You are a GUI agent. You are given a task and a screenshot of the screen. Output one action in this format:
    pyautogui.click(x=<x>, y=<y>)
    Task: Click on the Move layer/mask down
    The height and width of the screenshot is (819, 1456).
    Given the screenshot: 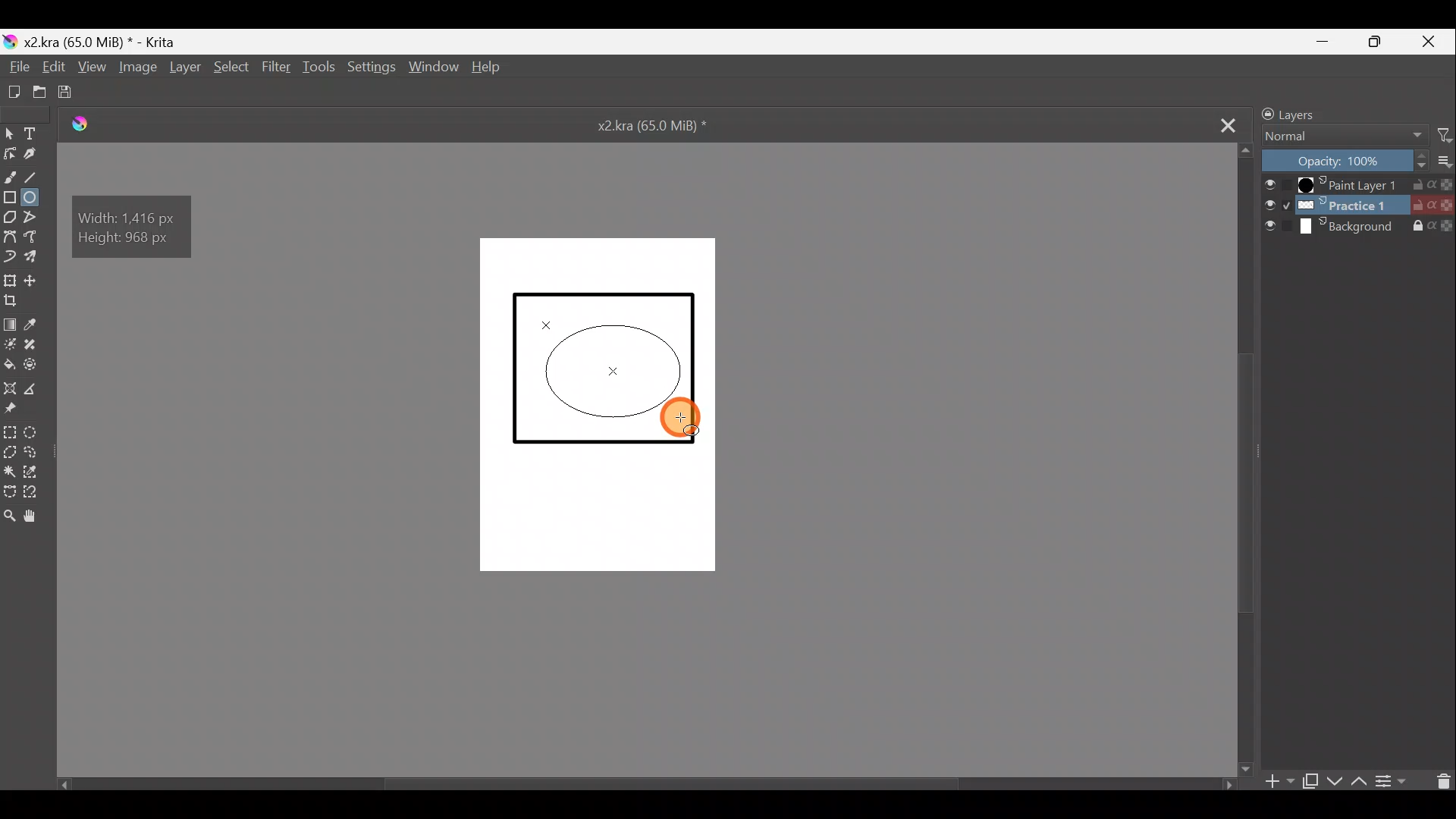 What is the action you would take?
    pyautogui.click(x=1335, y=776)
    